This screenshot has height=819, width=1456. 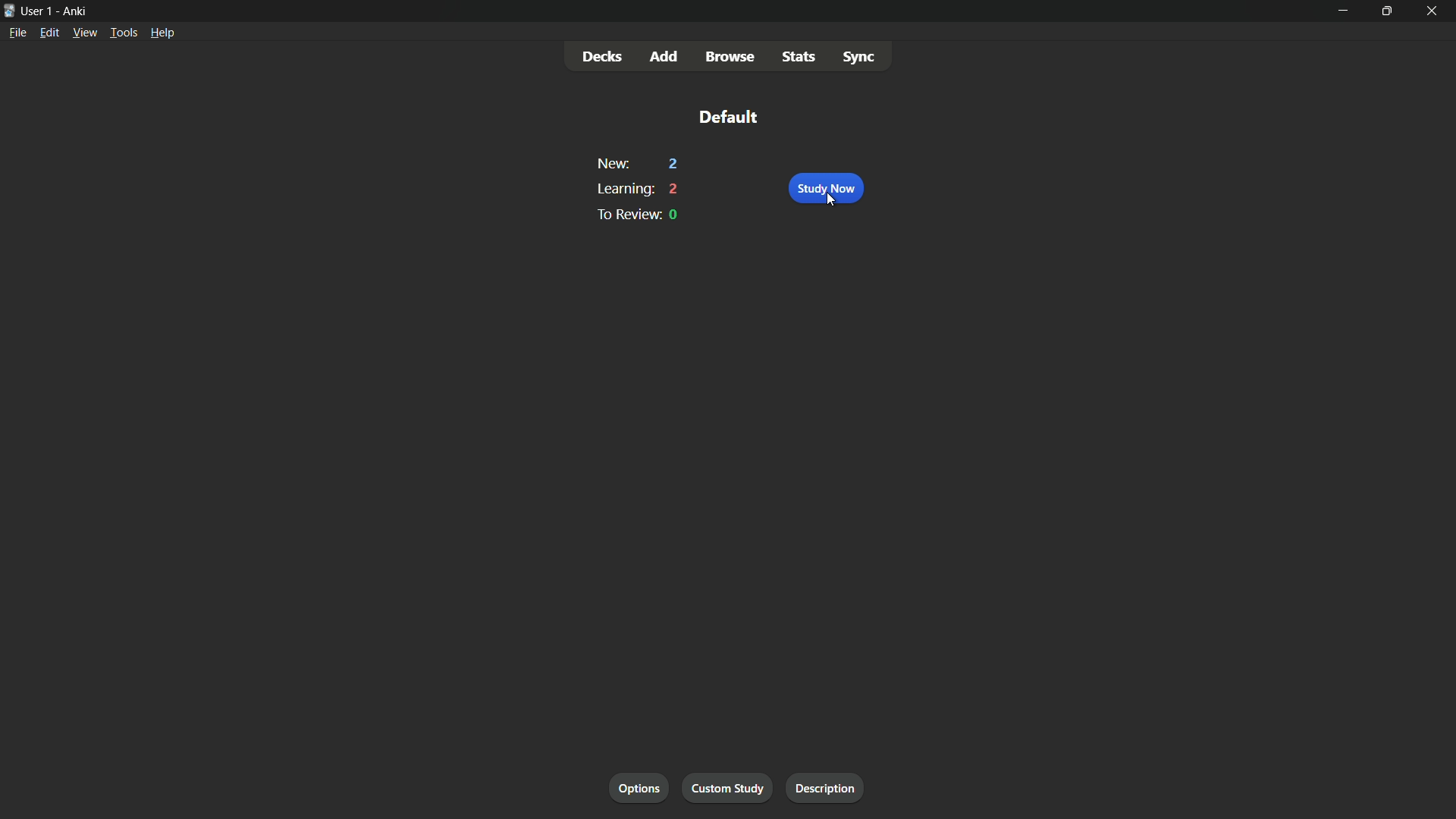 I want to click on study now, so click(x=827, y=188).